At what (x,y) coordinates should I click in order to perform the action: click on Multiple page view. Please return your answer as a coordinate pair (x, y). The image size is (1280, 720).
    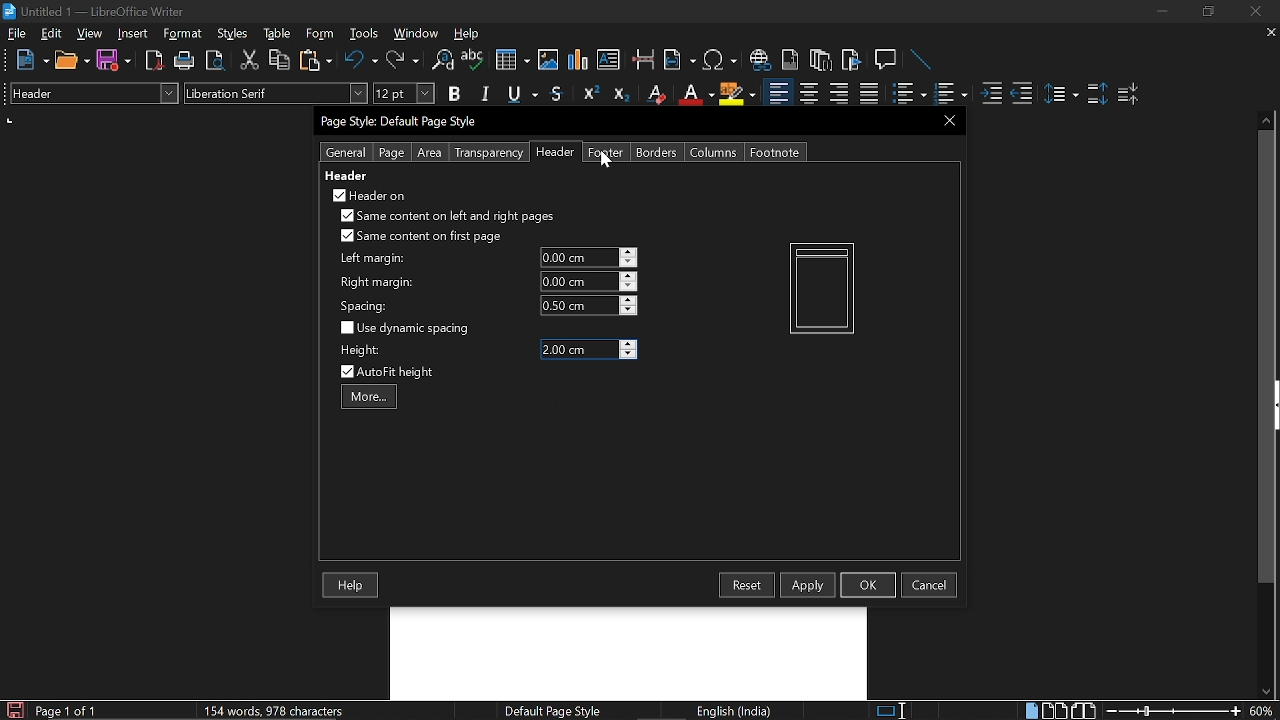
    Looking at the image, I should click on (1054, 711).